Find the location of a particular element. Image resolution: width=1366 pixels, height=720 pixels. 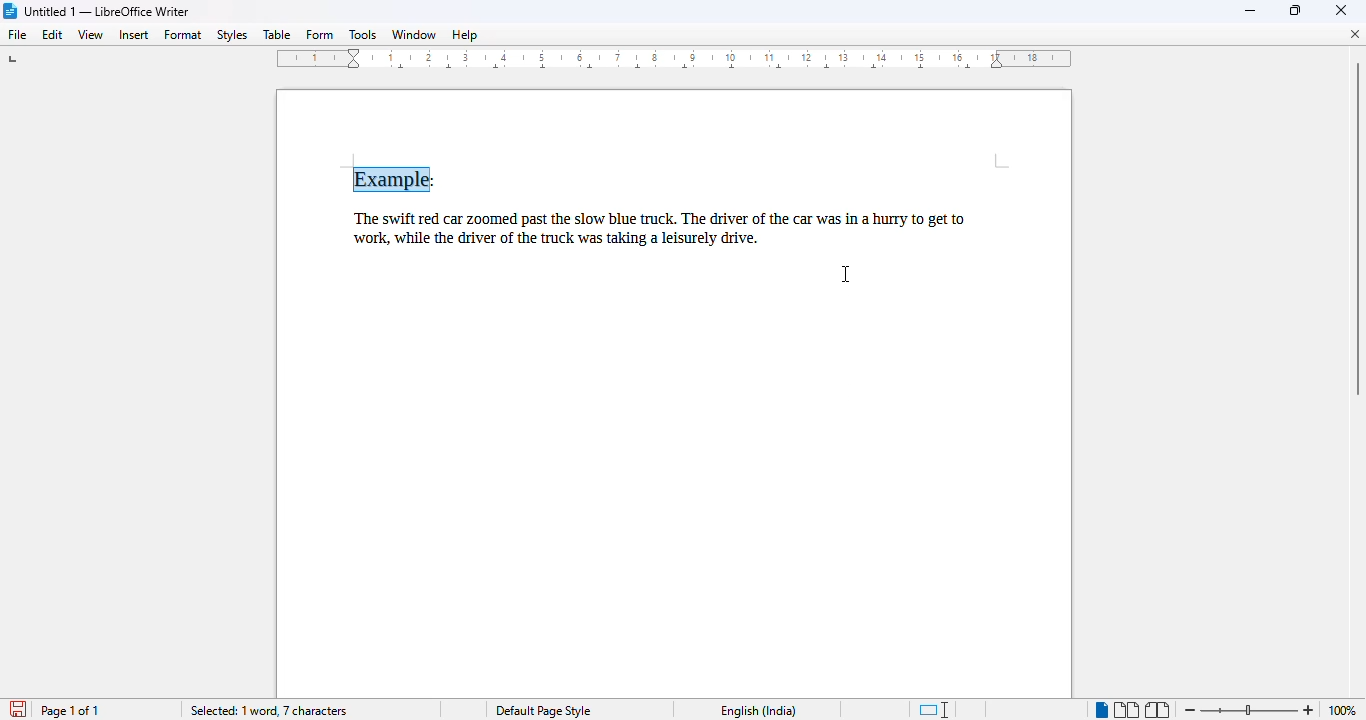

Default page style is located at coordinates (543, 711).